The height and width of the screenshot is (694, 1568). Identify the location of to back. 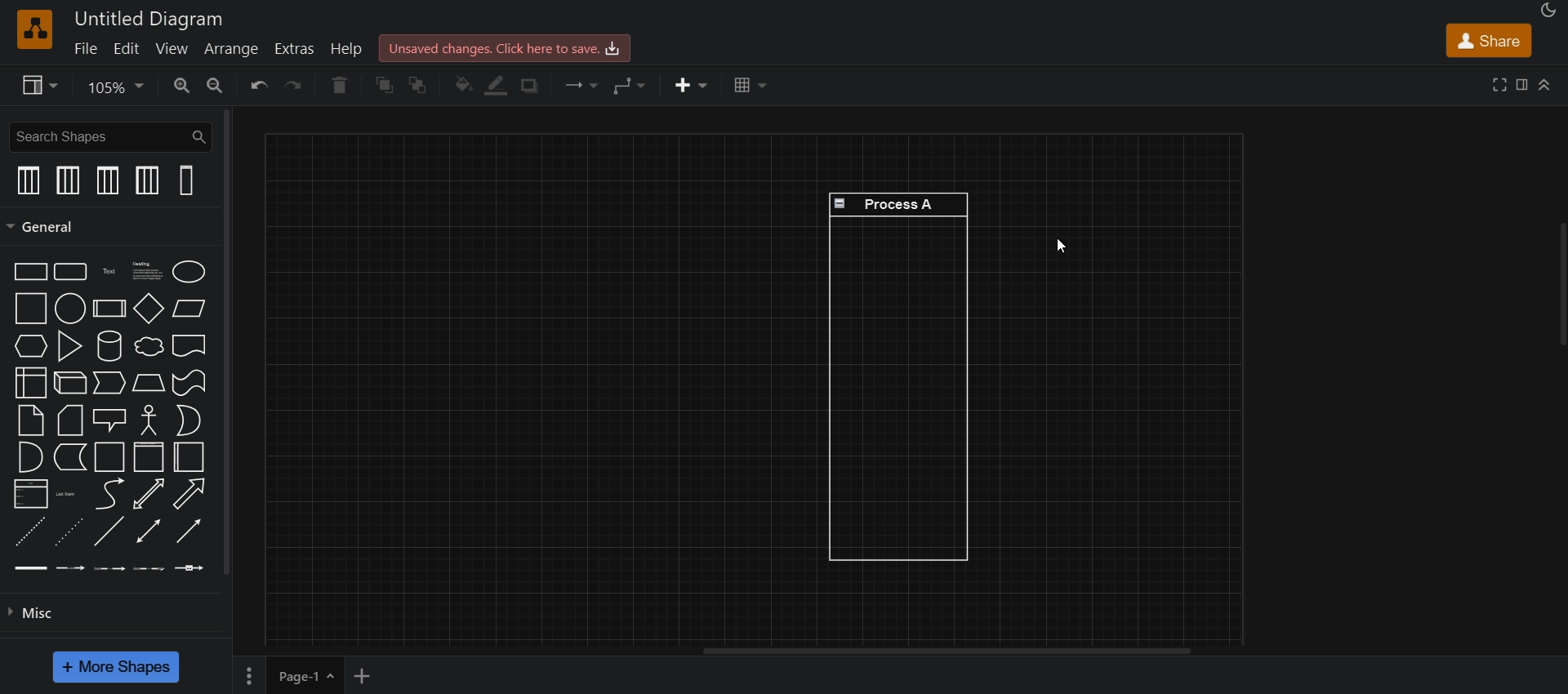
(421, 87).